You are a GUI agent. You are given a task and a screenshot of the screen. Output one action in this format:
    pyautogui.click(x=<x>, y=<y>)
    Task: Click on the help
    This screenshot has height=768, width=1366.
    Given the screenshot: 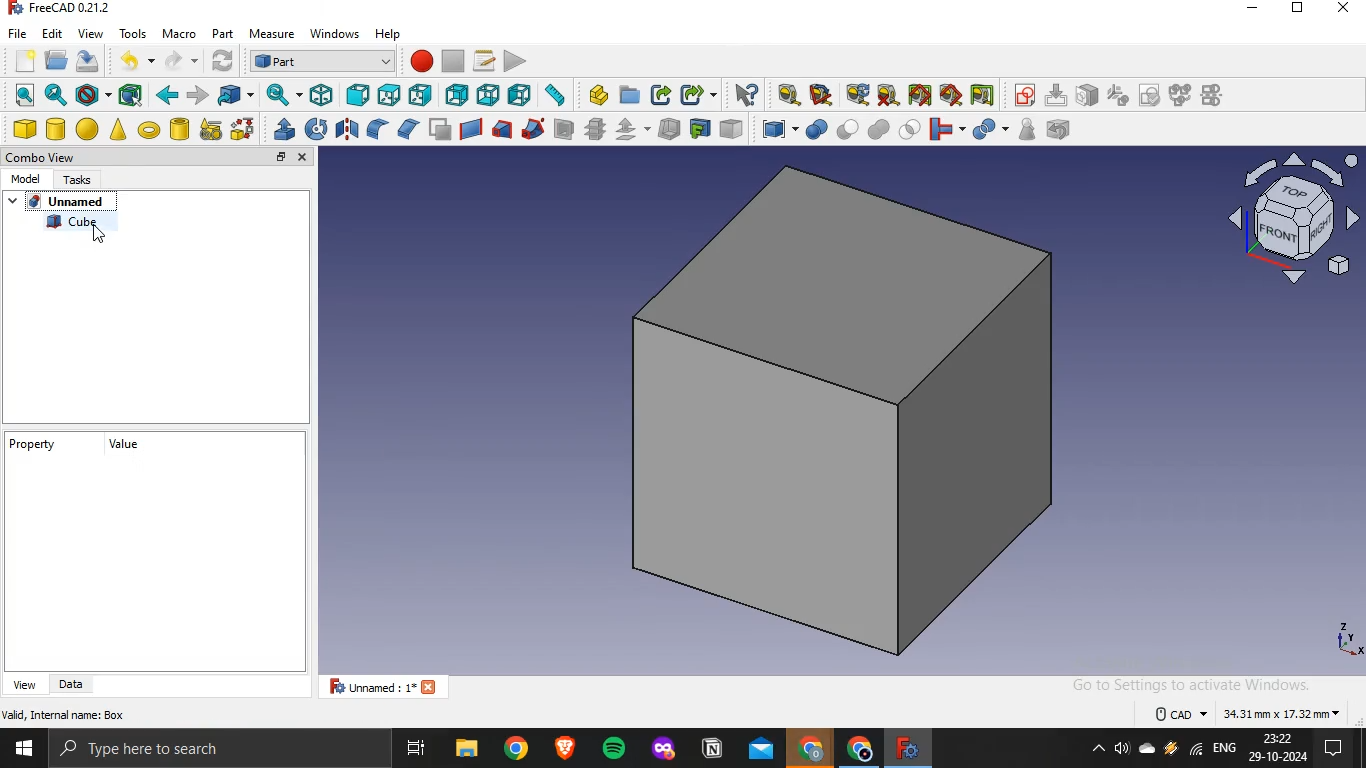 What is the action you would take?
    pyautogui.click(x=389, y=33)
    